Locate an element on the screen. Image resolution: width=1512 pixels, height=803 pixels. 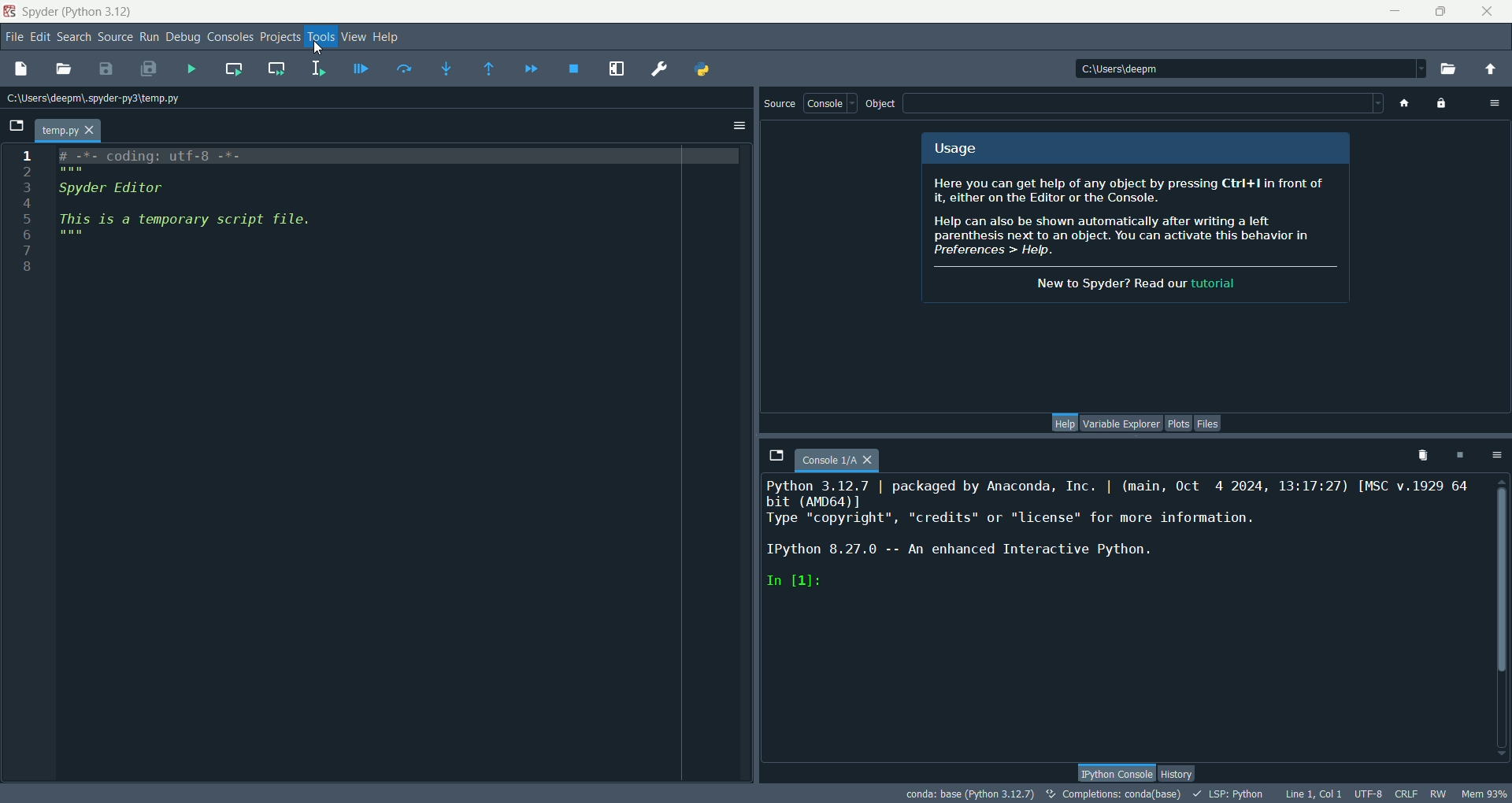
projects is located at coordinates (278, 38).